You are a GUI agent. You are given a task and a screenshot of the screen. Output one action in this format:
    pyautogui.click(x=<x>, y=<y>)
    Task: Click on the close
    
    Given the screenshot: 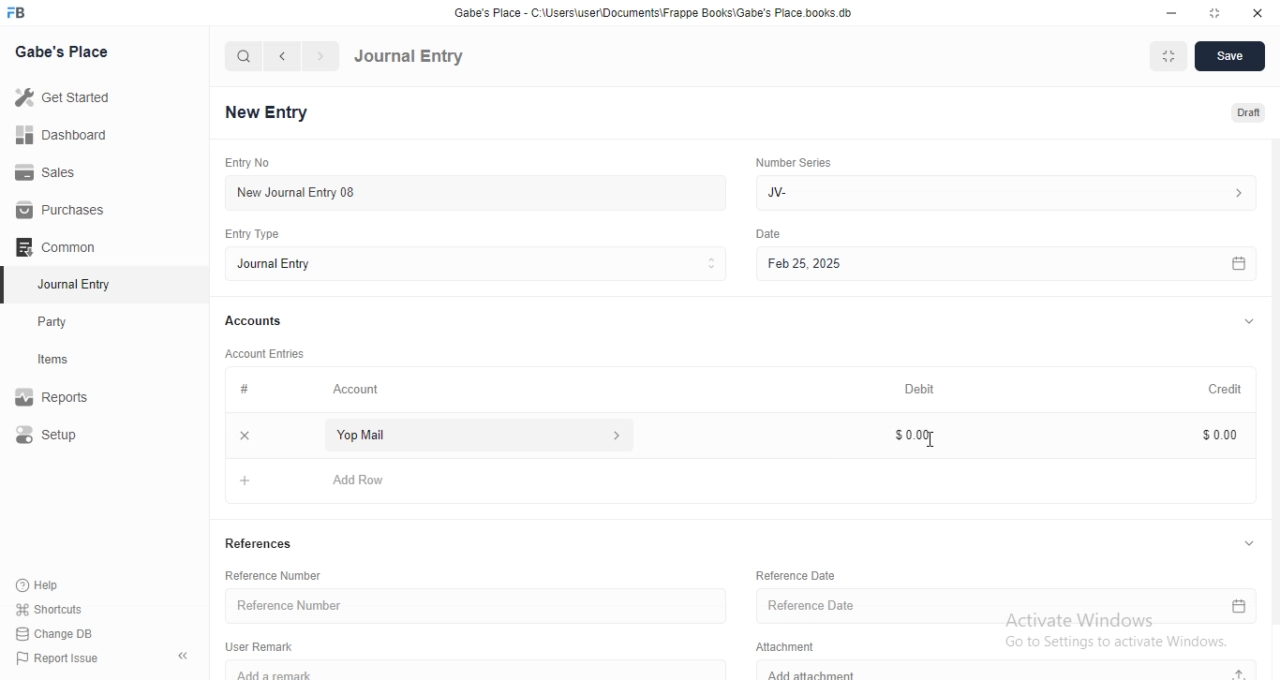 What is the action you would take?
    pyautogui.click(x=1256, y=11)
    